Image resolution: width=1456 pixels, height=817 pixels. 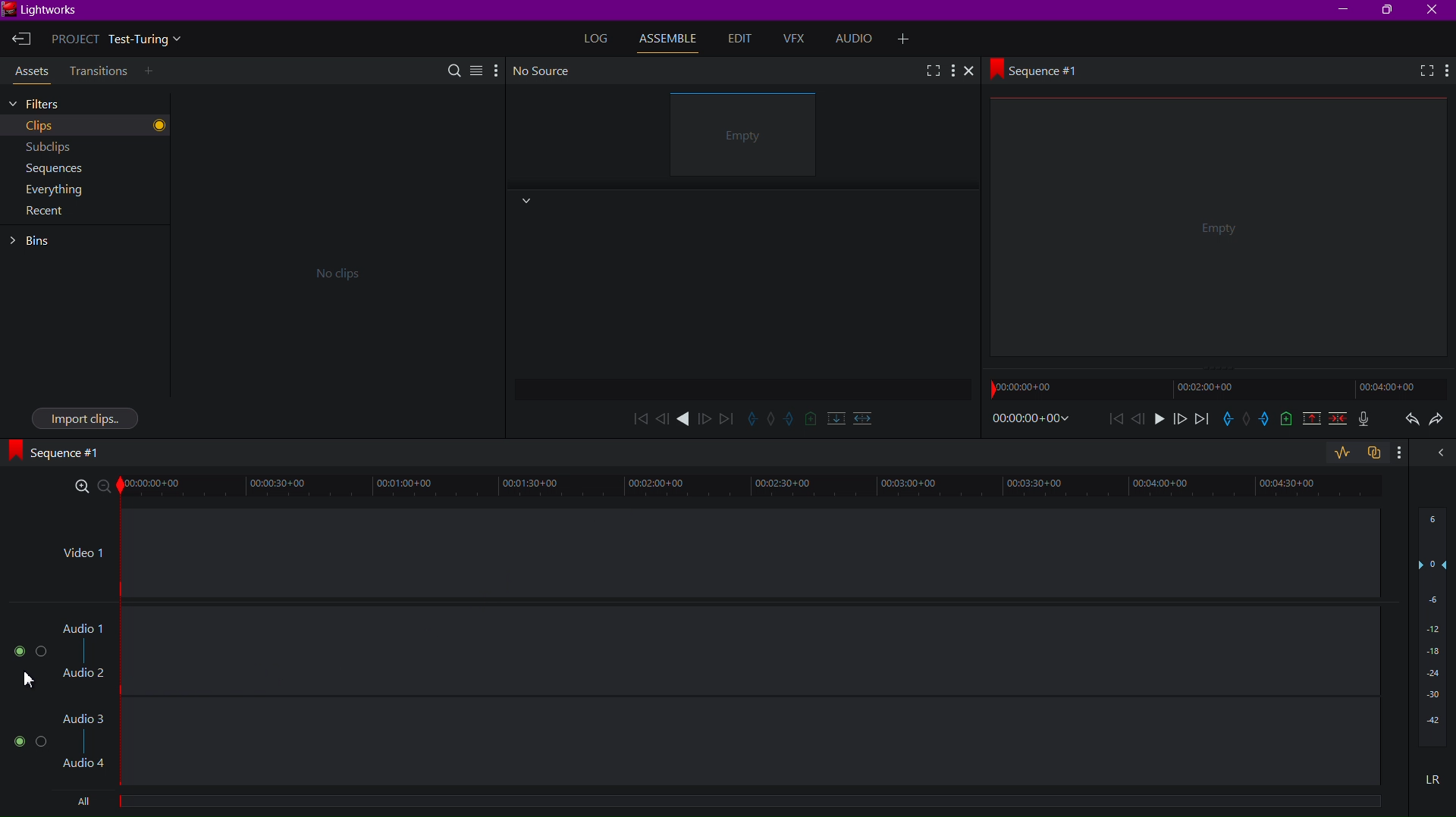 I want to click on close, so click(x=1439, y=453).